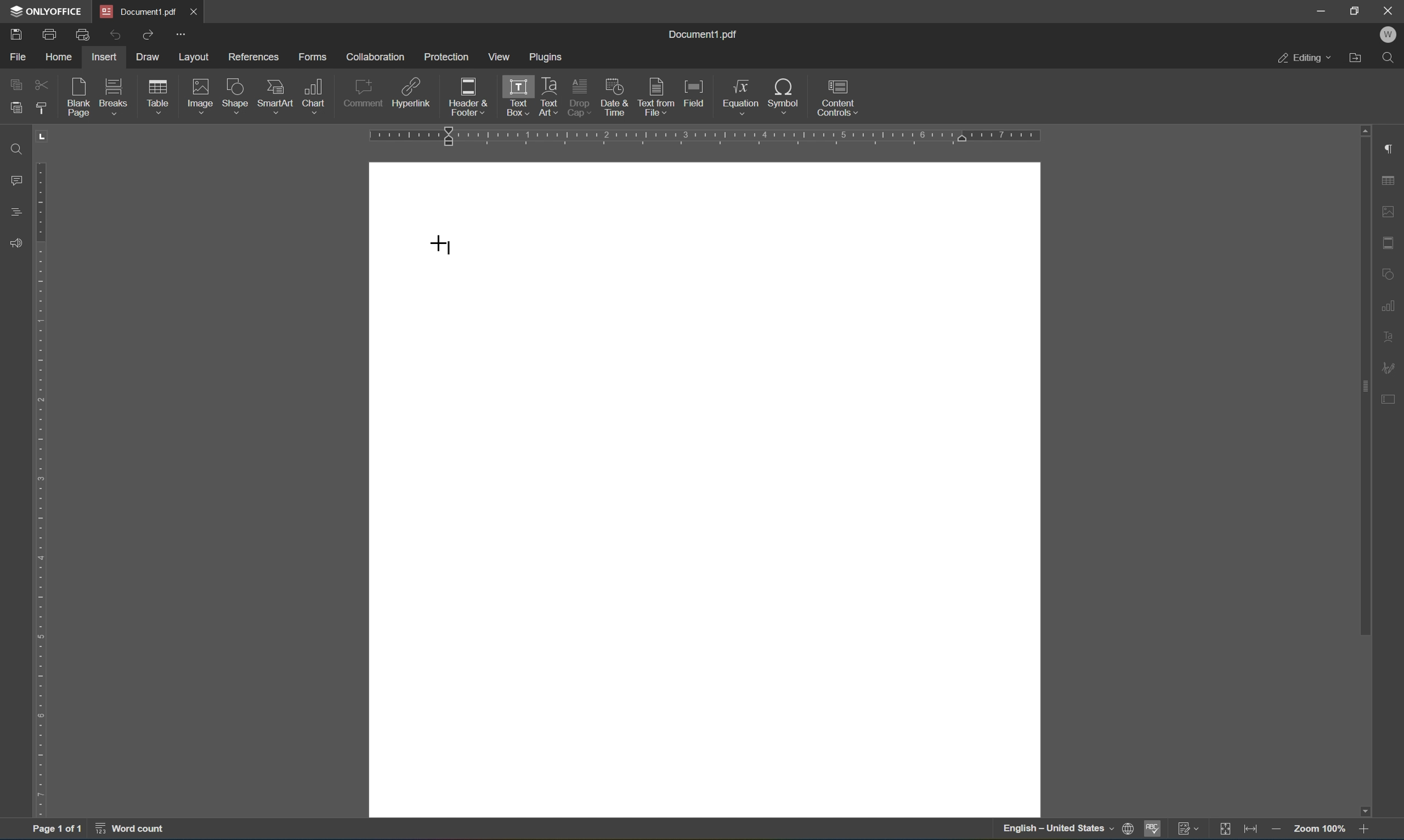 This screenshot has height=840, width=1404. I want to click on text from file, so click(658, 97).